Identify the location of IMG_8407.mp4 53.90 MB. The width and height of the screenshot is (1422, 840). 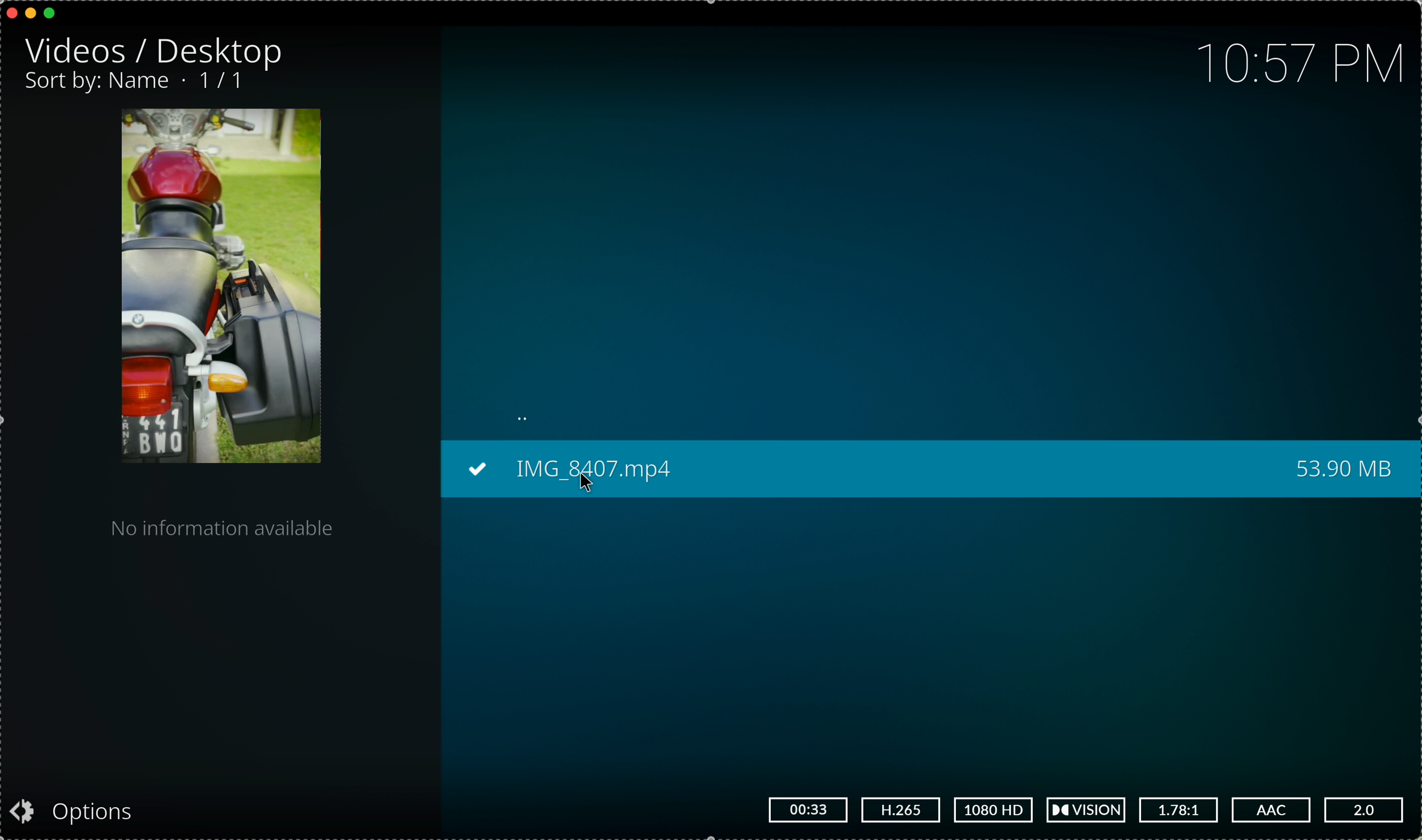
(933, 470).